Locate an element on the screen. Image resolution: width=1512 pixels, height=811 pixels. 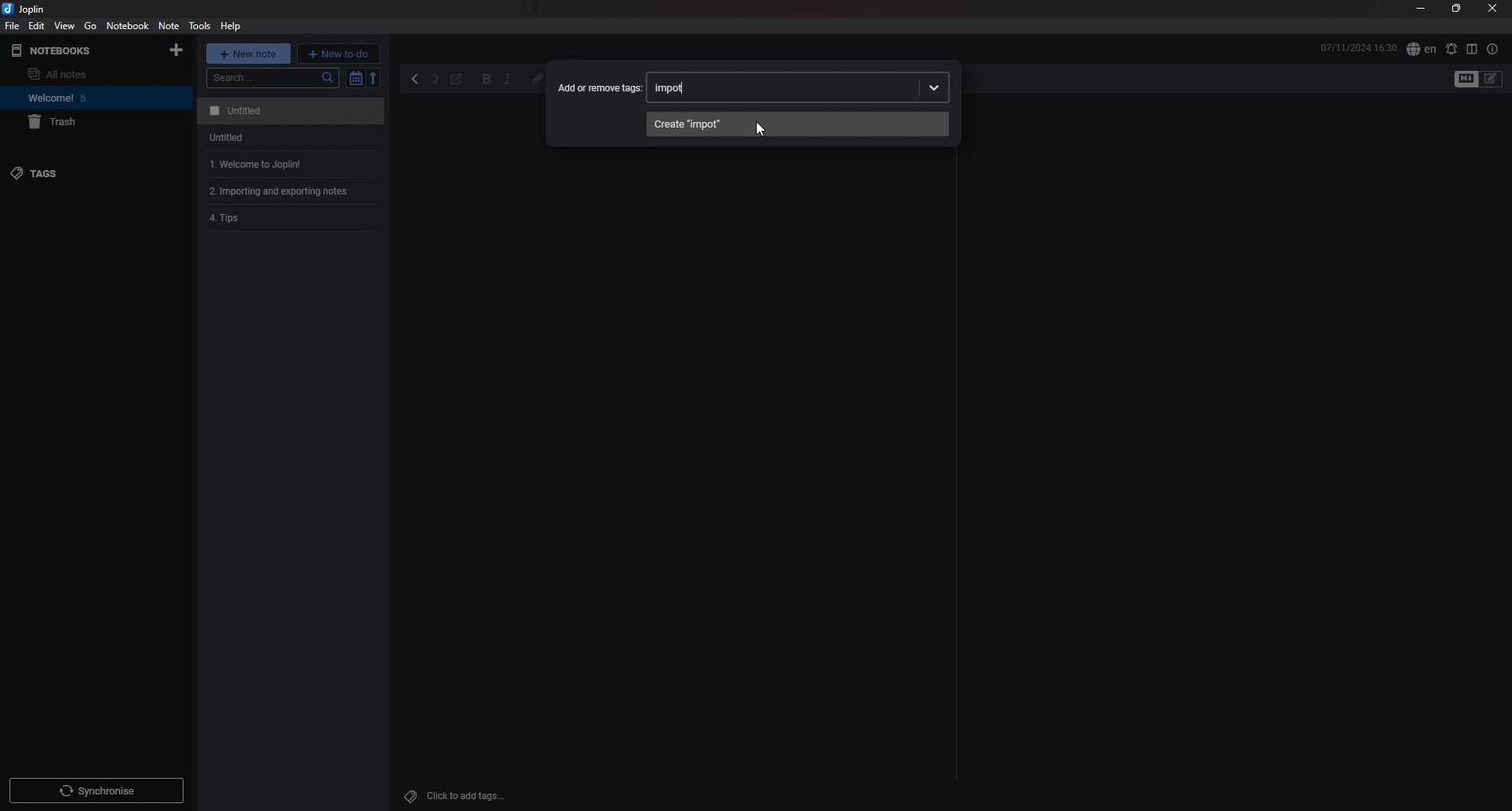
trash is located at coordinates (83, 123).